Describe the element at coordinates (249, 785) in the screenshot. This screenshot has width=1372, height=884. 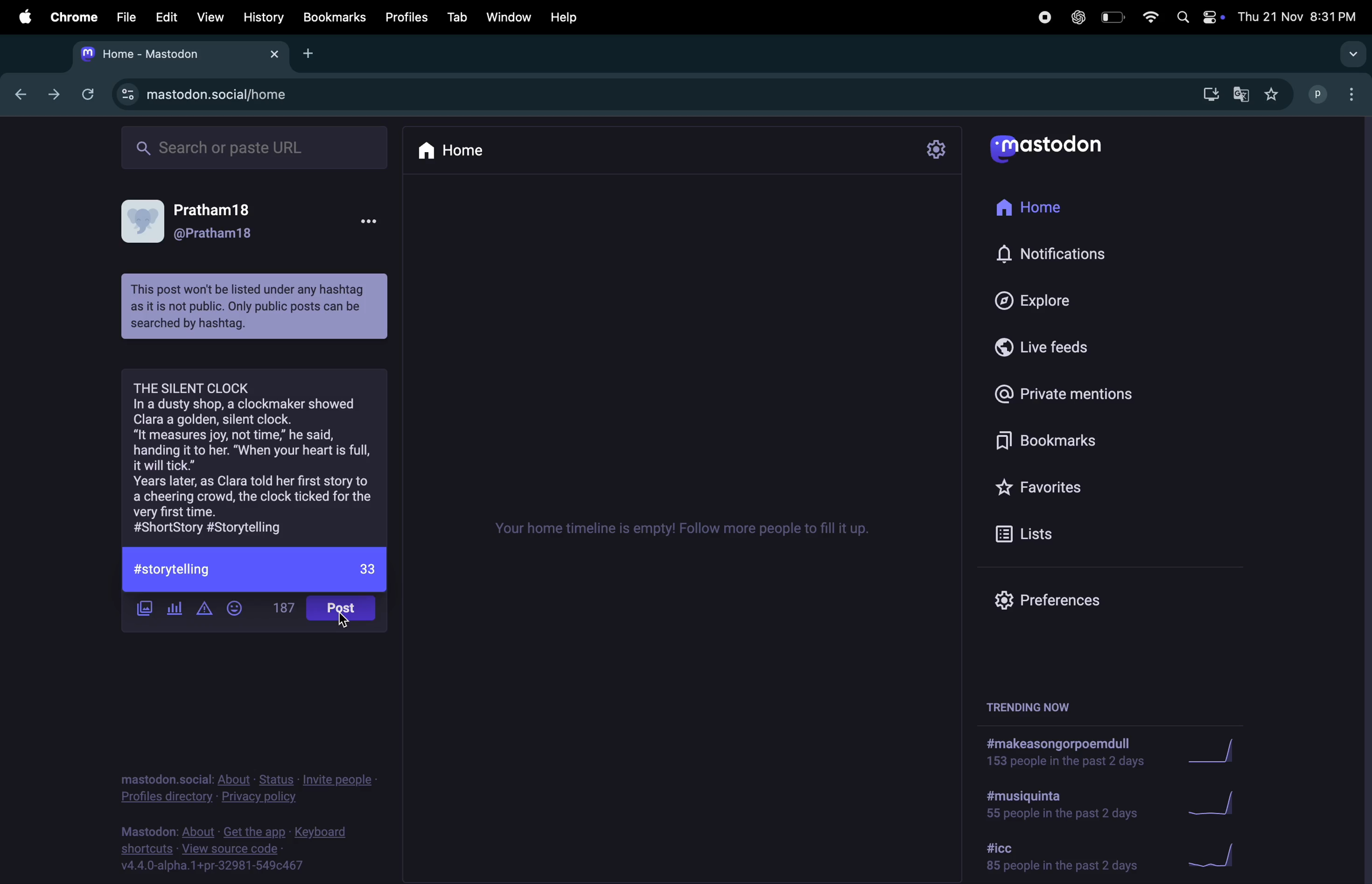
I see `privacy policy` at that location.